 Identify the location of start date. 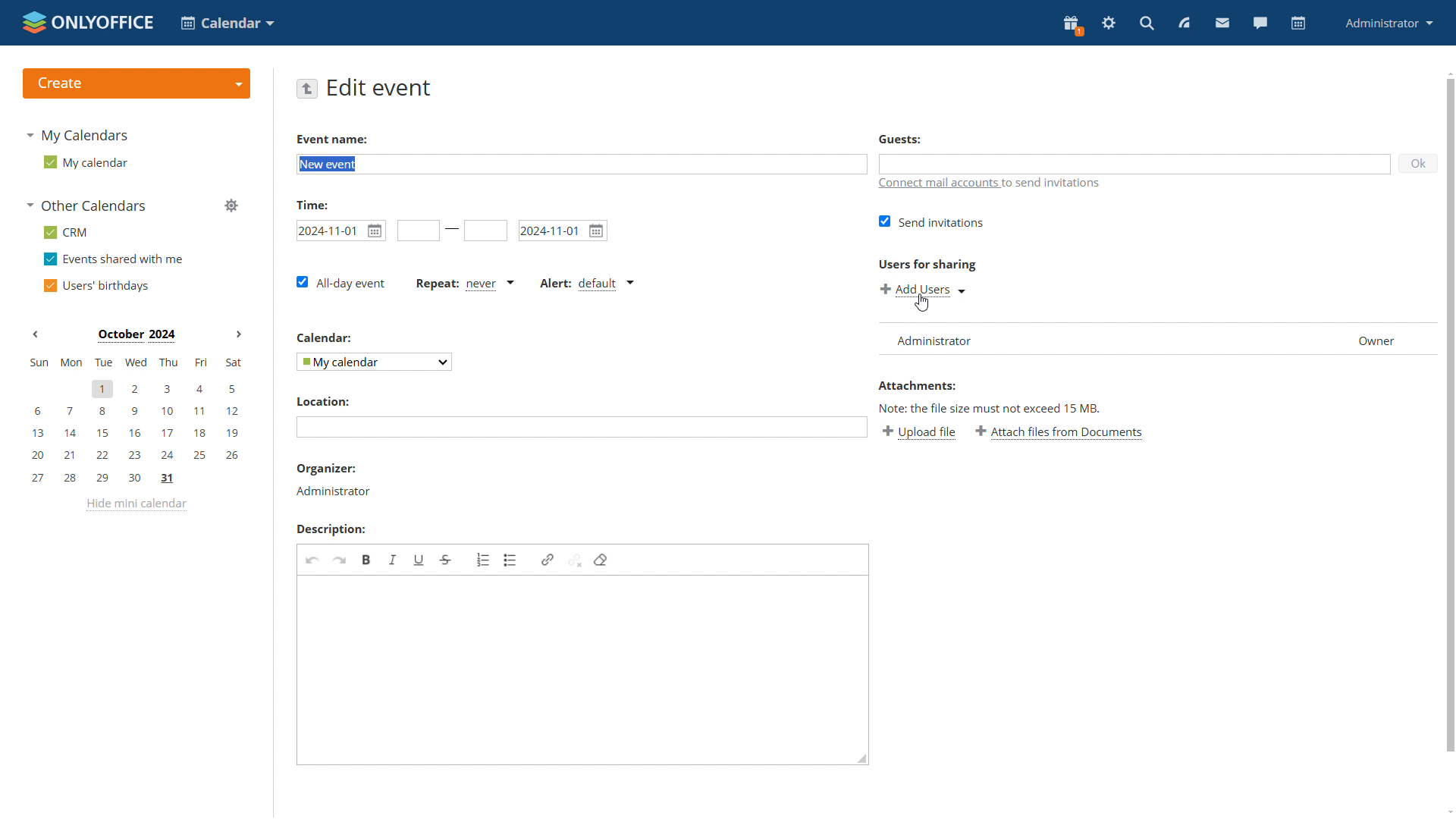
(339, 231).